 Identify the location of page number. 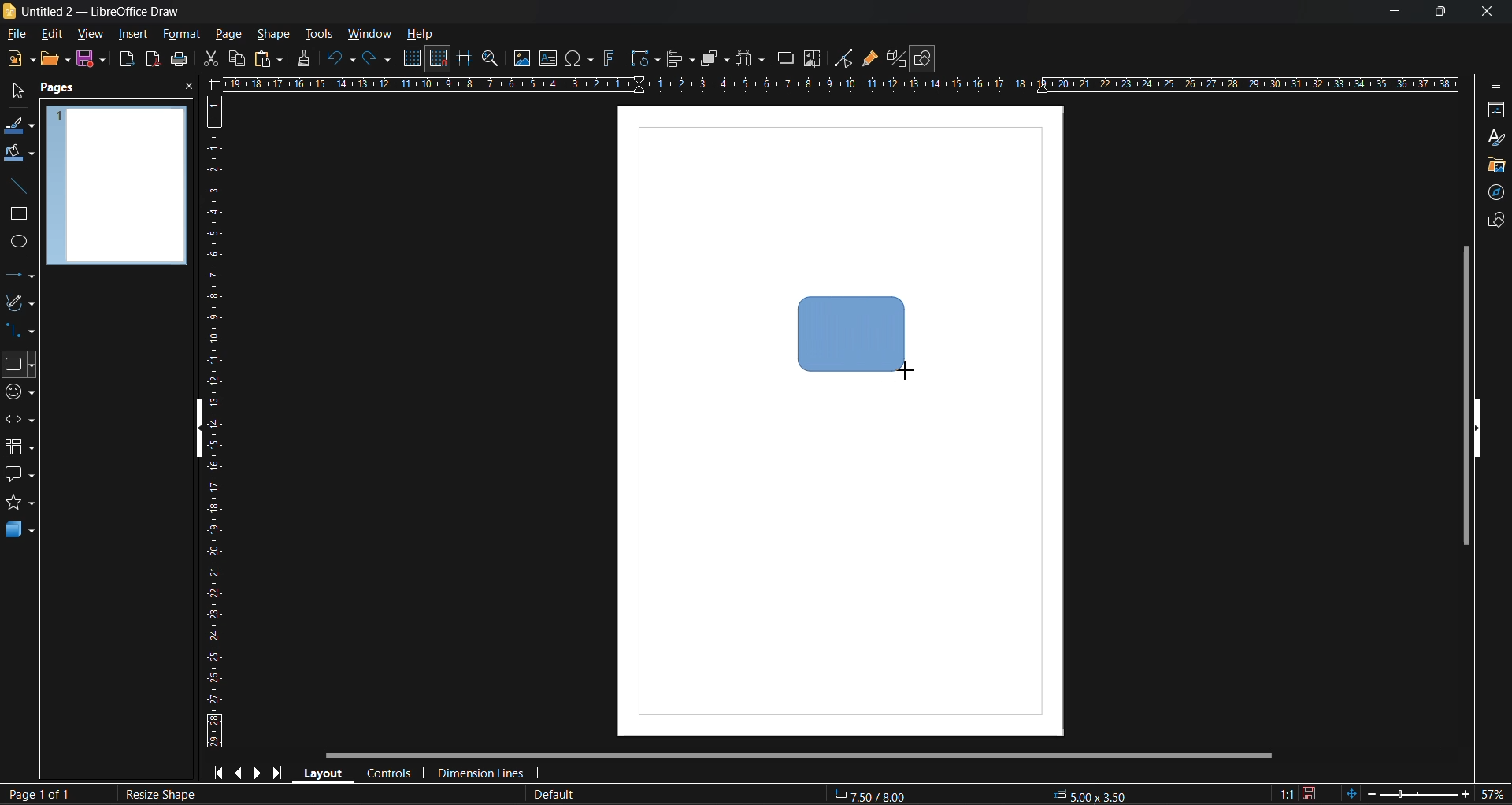
(36, 795).